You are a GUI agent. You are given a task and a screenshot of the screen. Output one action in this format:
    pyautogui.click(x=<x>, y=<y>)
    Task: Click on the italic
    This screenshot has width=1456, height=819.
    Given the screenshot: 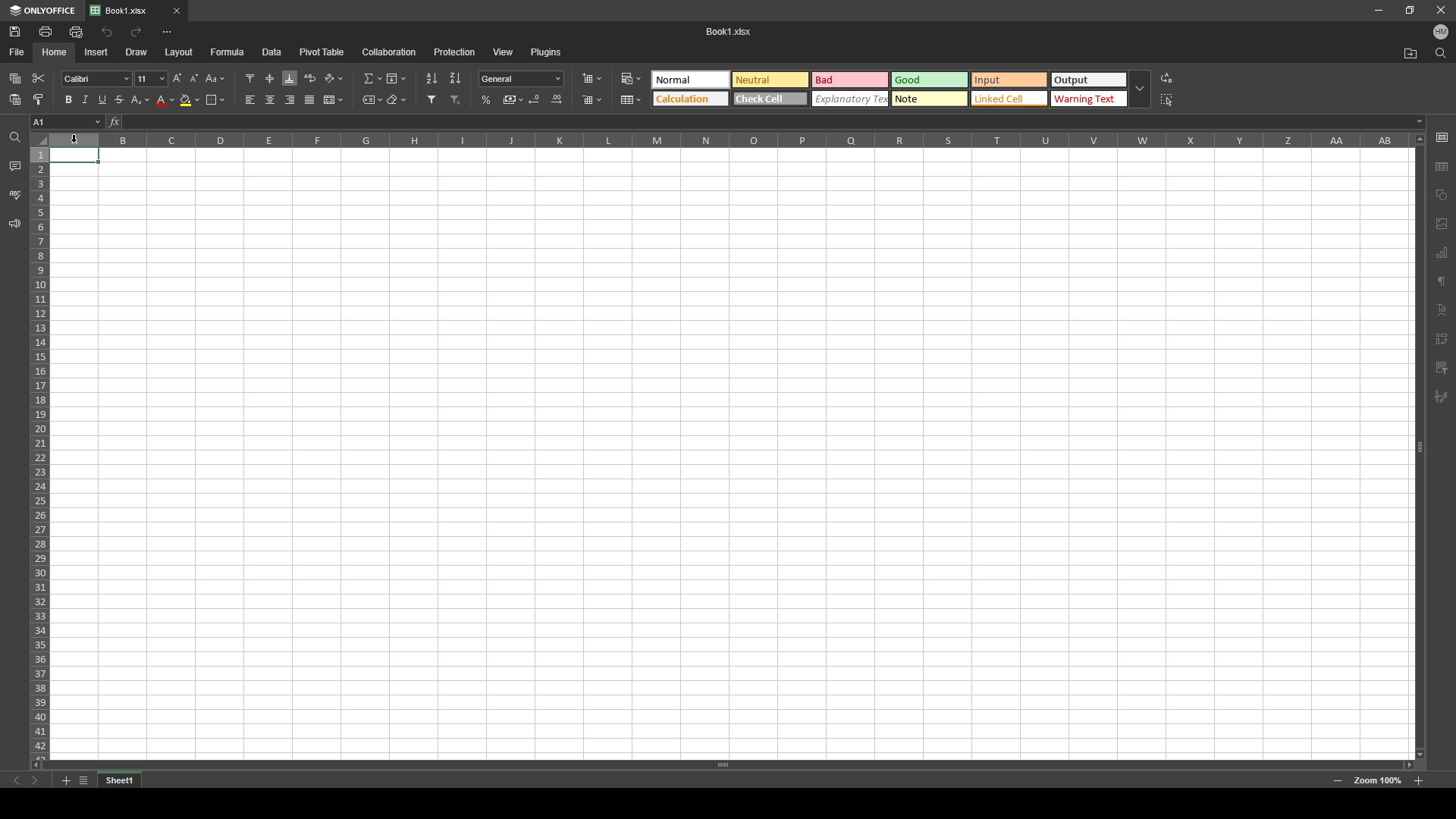 What is the action you would take?
    pyautogui.click(x=85, y=99)
    